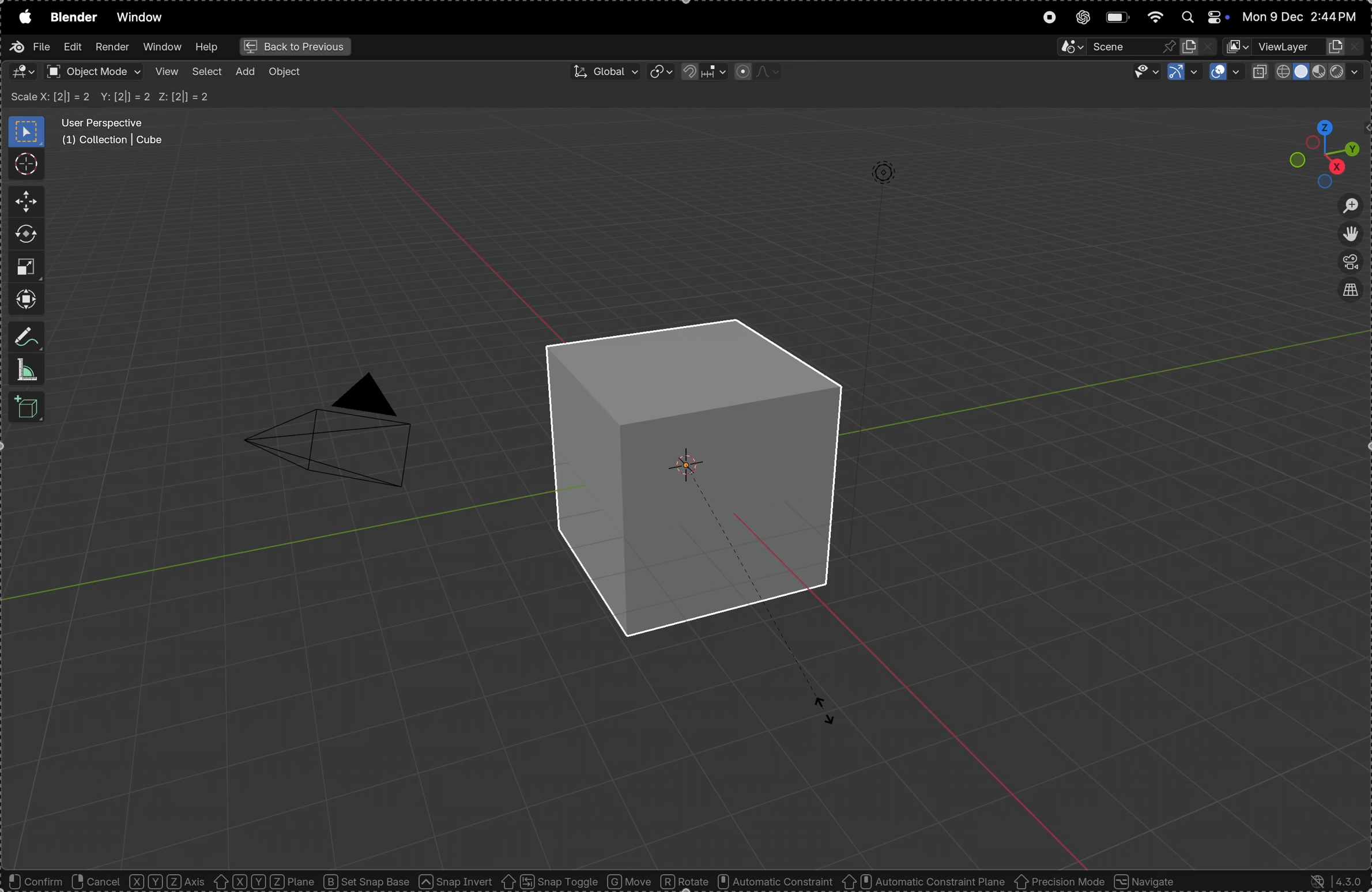 The height and width of the screenshot is (892, 1372). Describe the element at coordinates (29, 882) in the screenshot. I see `select` at that location.